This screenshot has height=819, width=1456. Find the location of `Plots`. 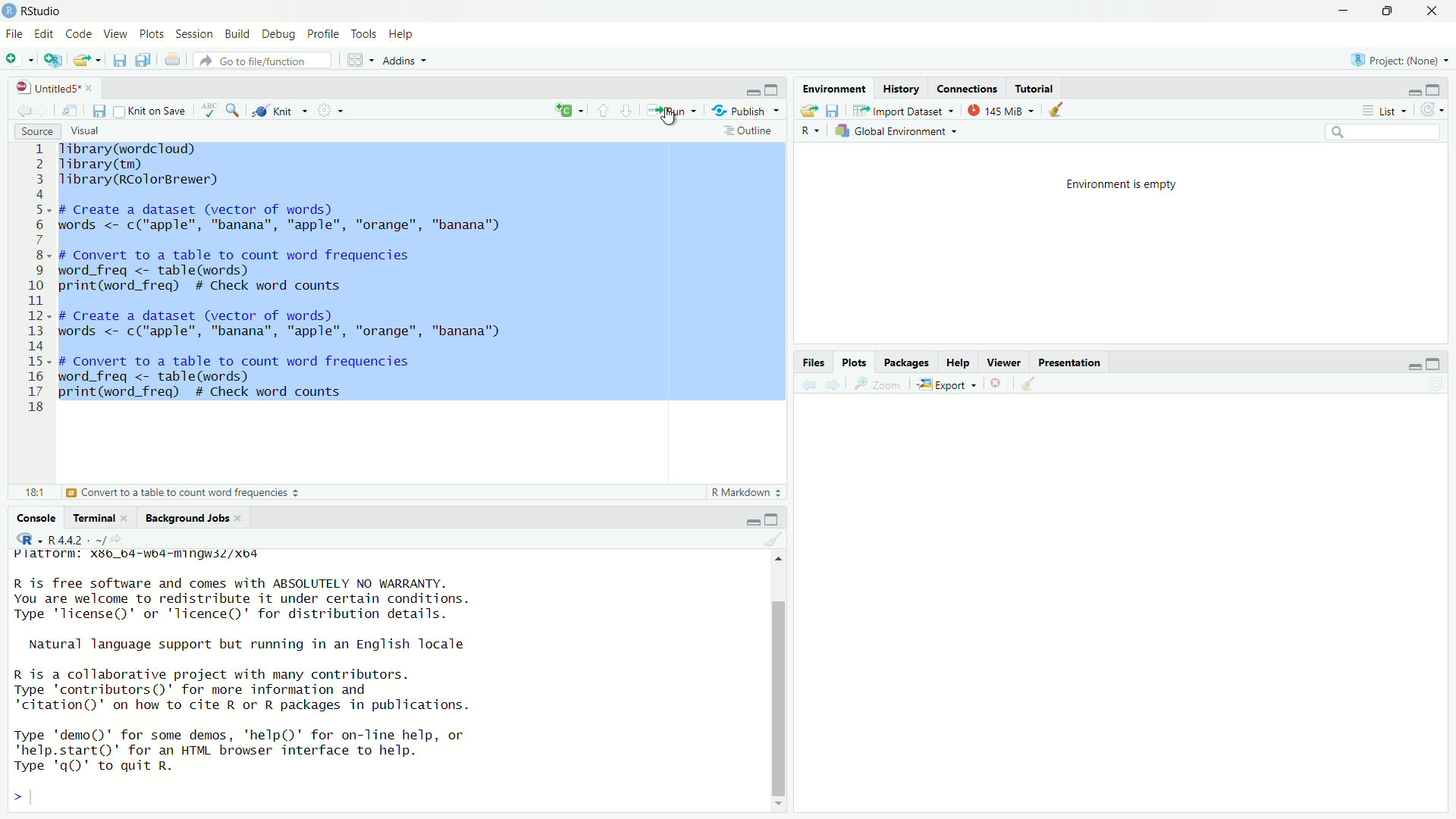

Plots is located at coordinates (152, 34).